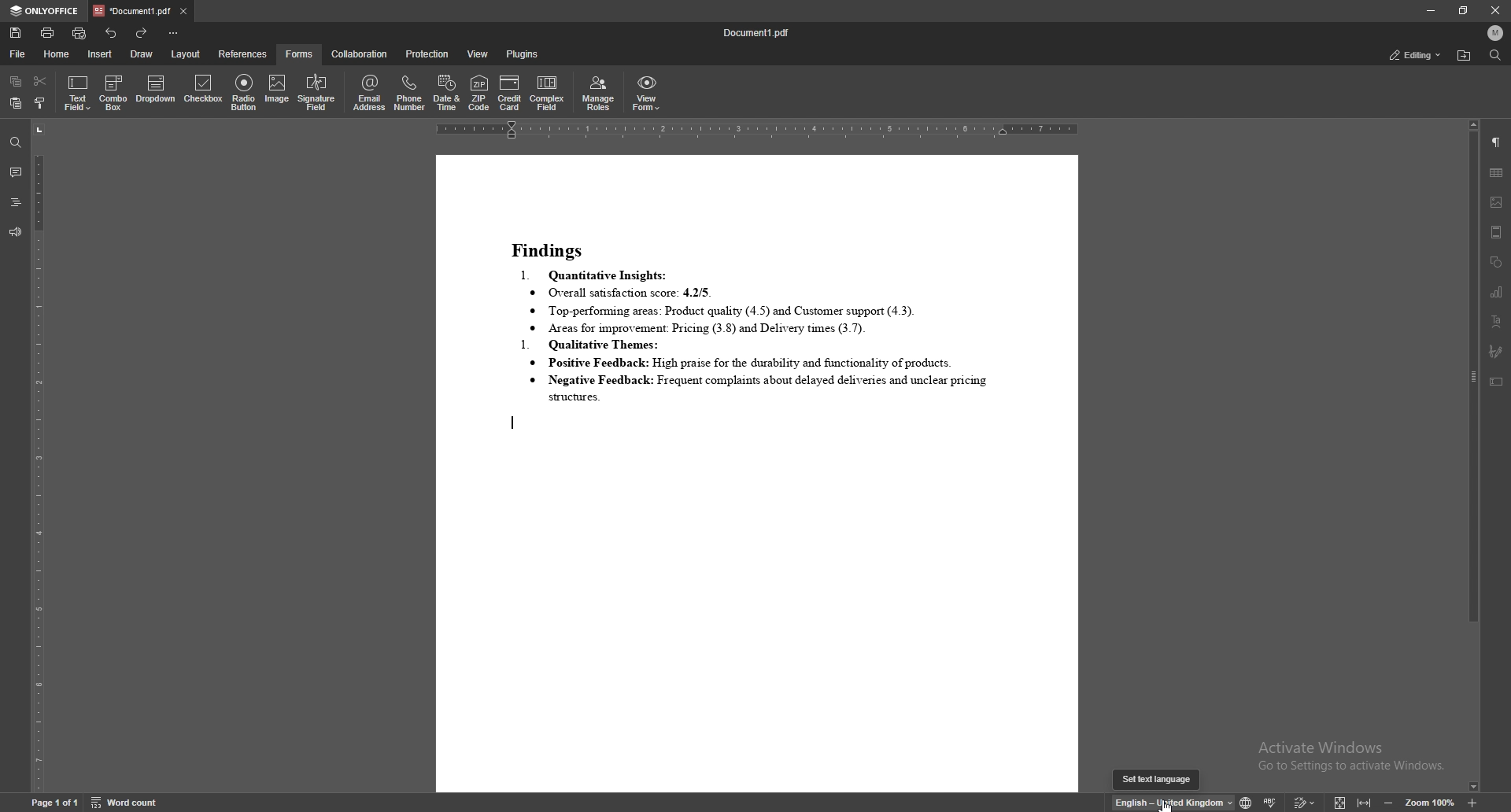 The width and height of the screenshot is (1511, 812). What do you see at coordinates (80, 33) in the screenshot?
I see `quick print` at bounding box center [80, 33].